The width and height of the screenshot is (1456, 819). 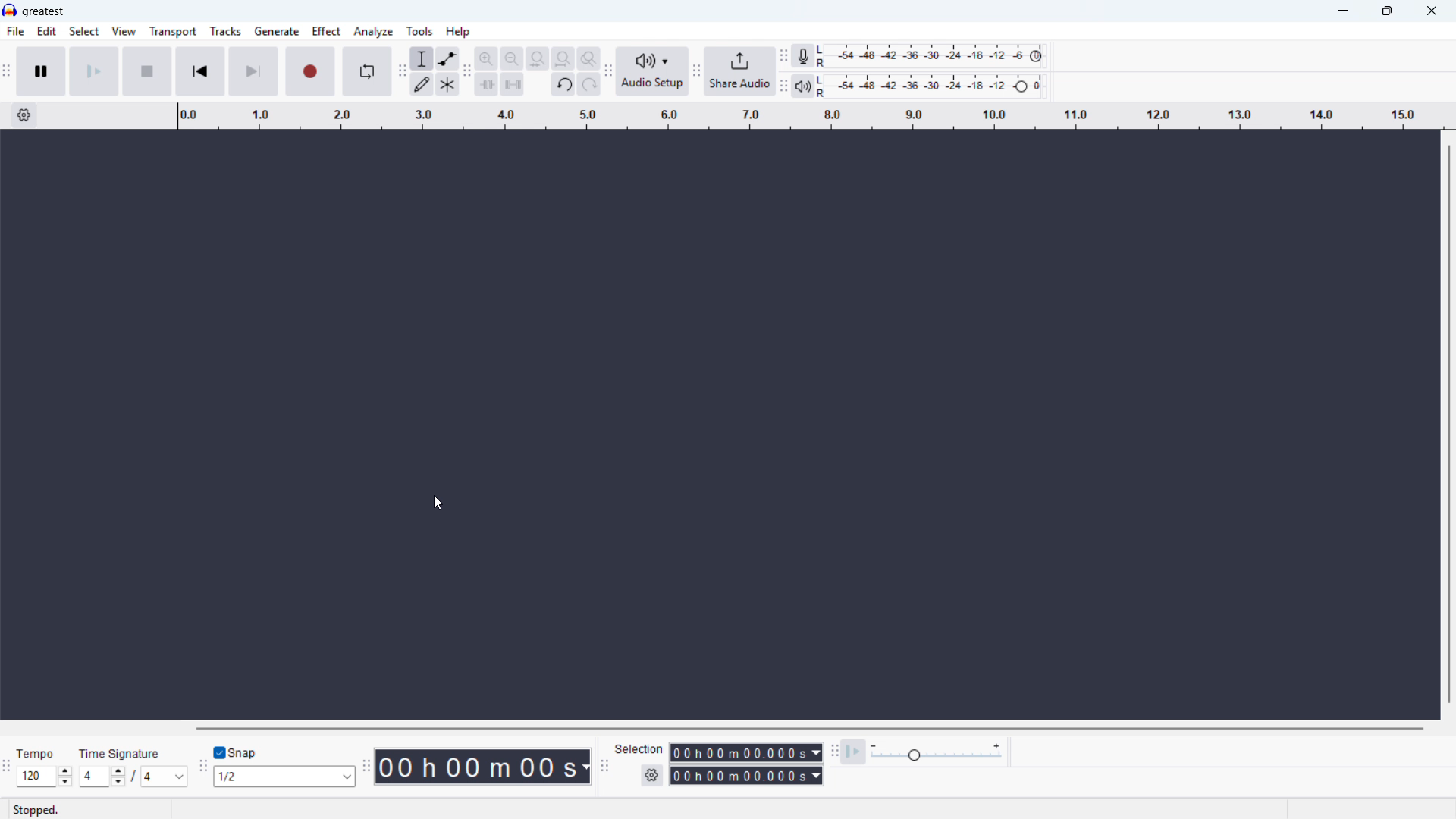 What do you see at coordinates (94, 72) in the screenshot?
I see `Play ` at bounding box center [94, 72].